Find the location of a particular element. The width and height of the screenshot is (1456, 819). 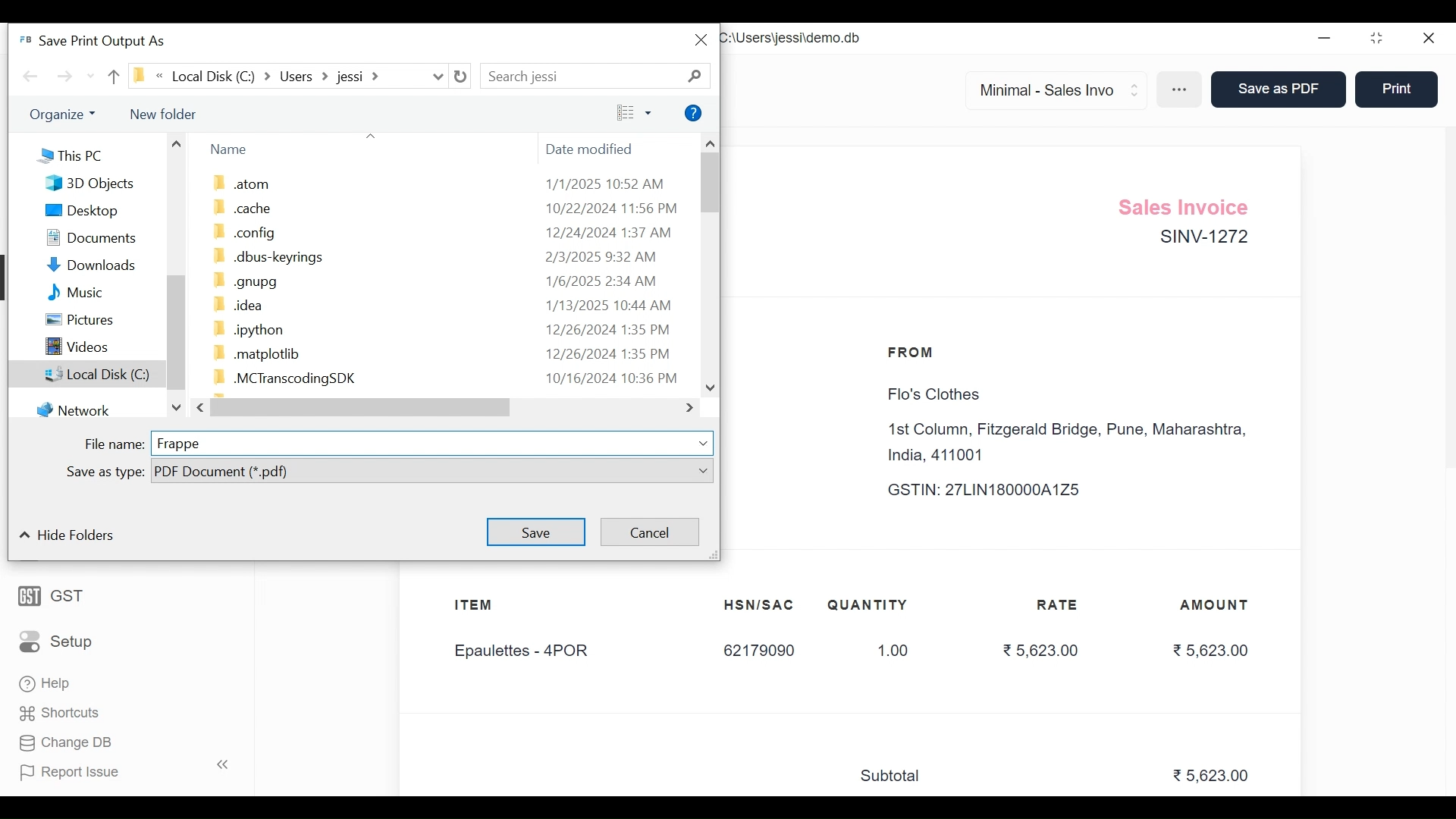

GSTIN: 27LIN180000A1Z5 is located at coordinates (998, 490).